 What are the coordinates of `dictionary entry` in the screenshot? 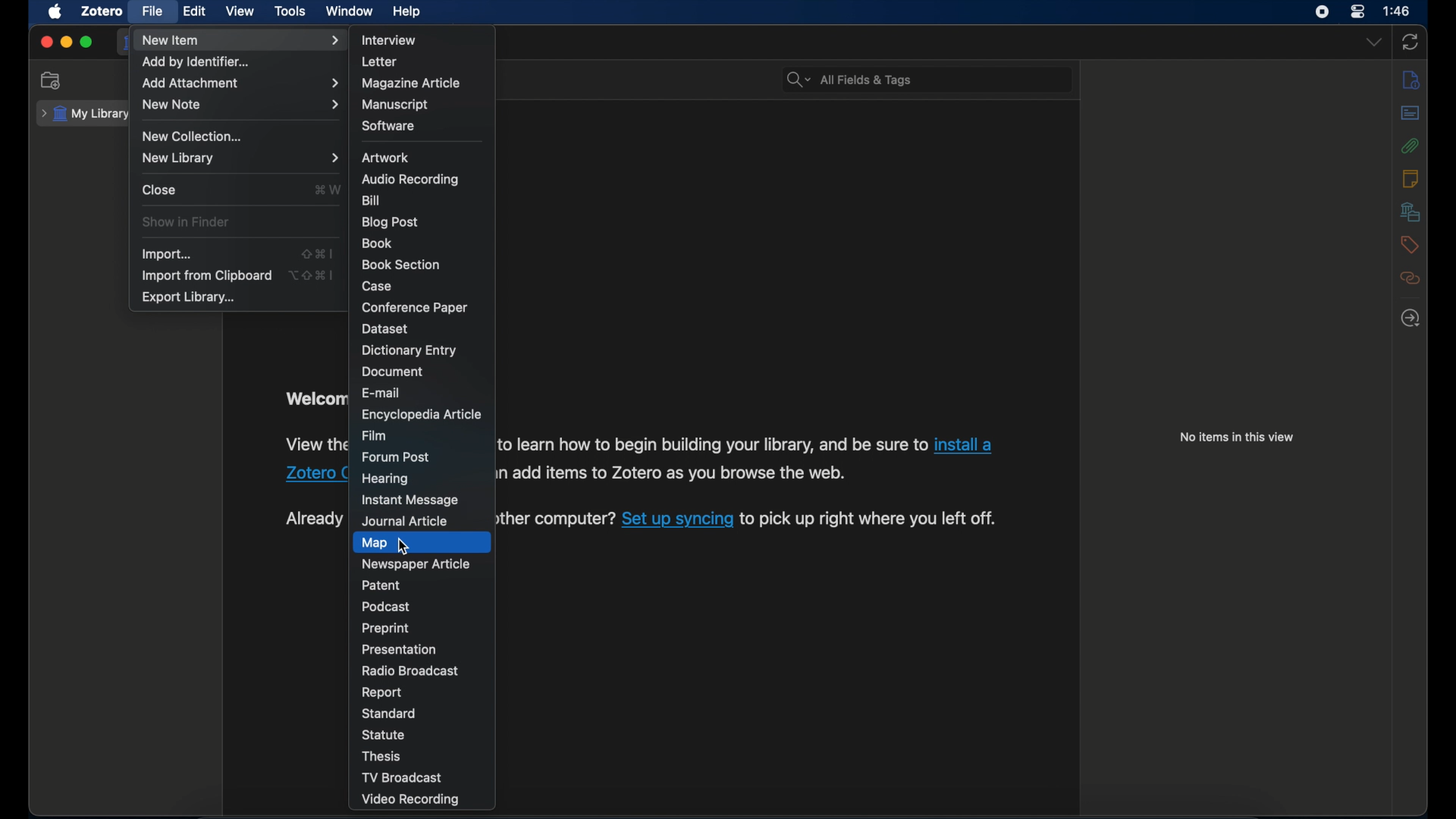 It's located at (409, 350).